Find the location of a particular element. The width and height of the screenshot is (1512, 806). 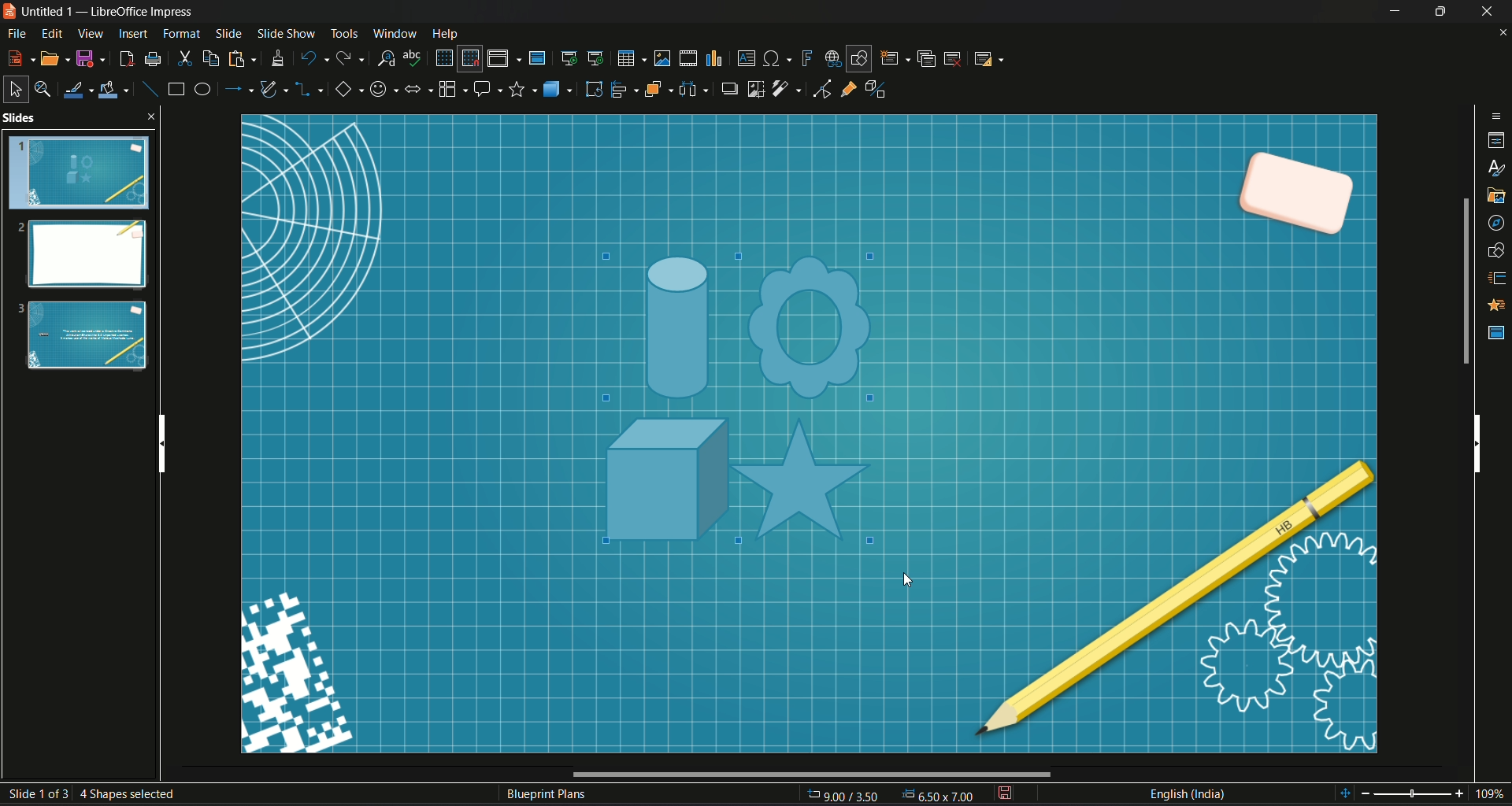

sidebar options is located at coordinates (1497, 115).